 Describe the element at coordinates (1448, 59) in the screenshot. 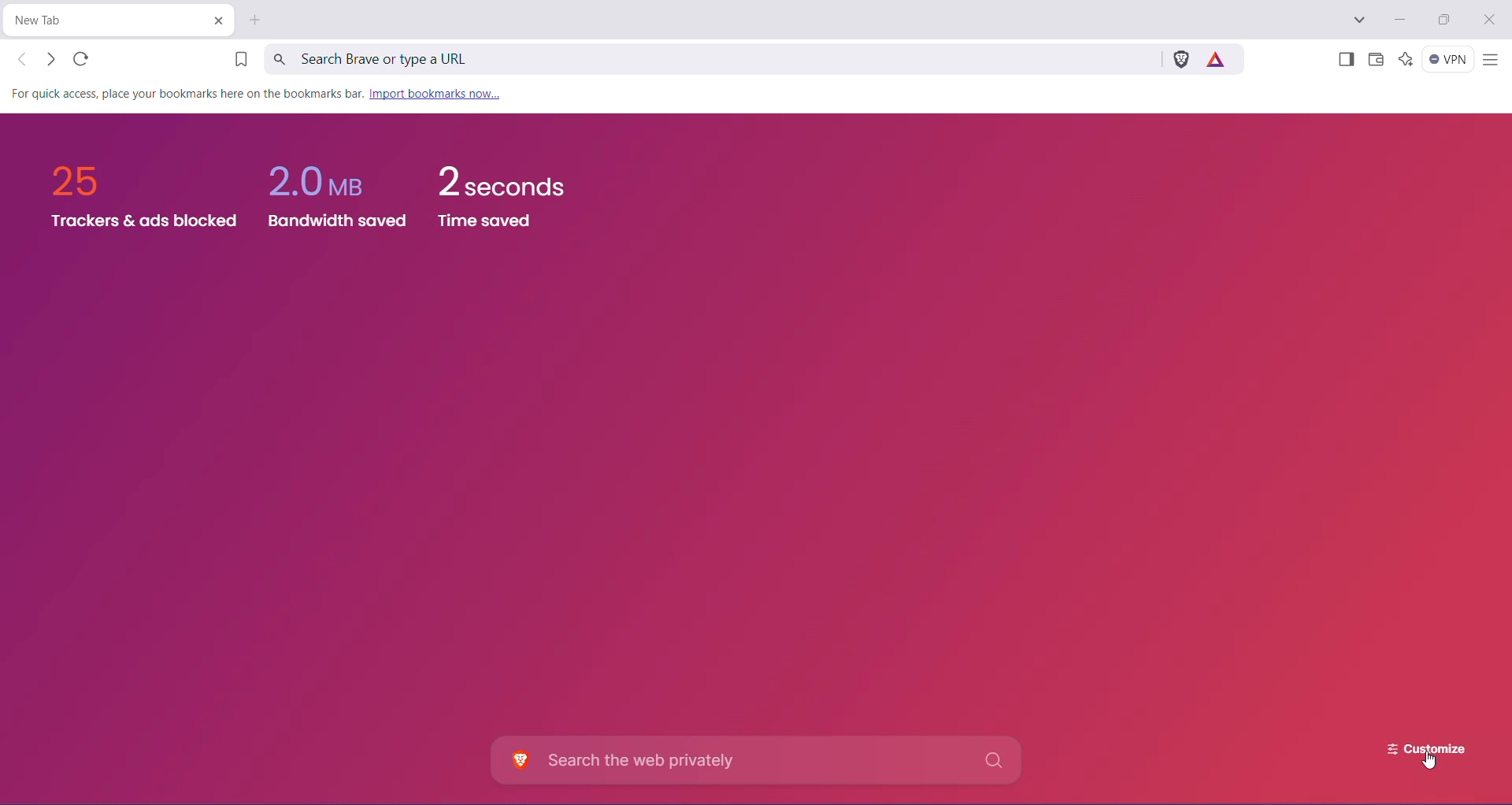

I see `Brave Firewall + VPN` at that location.